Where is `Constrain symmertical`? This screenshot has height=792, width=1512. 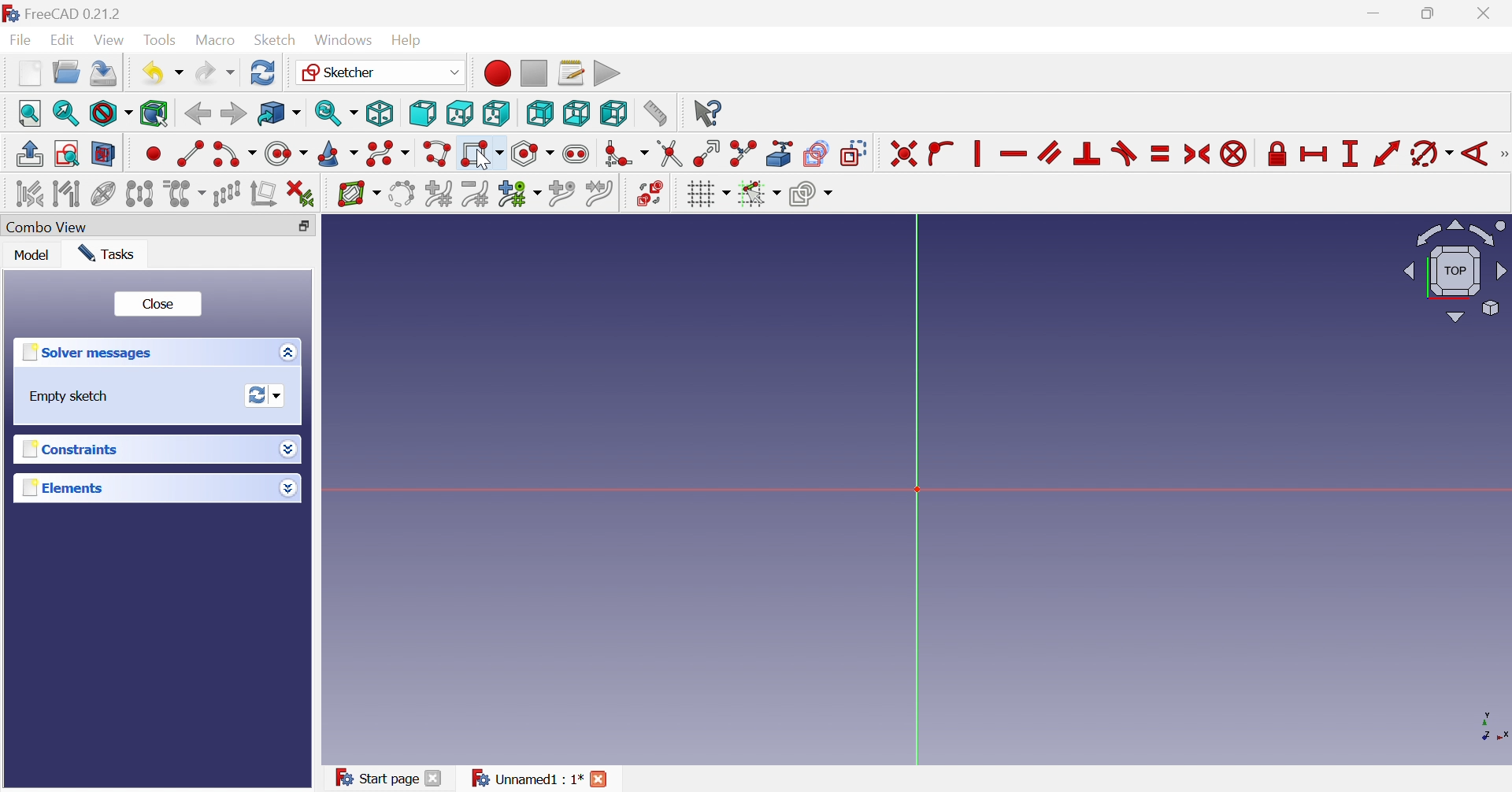
Constrain symmertical is located at coordinates (1198, 154).